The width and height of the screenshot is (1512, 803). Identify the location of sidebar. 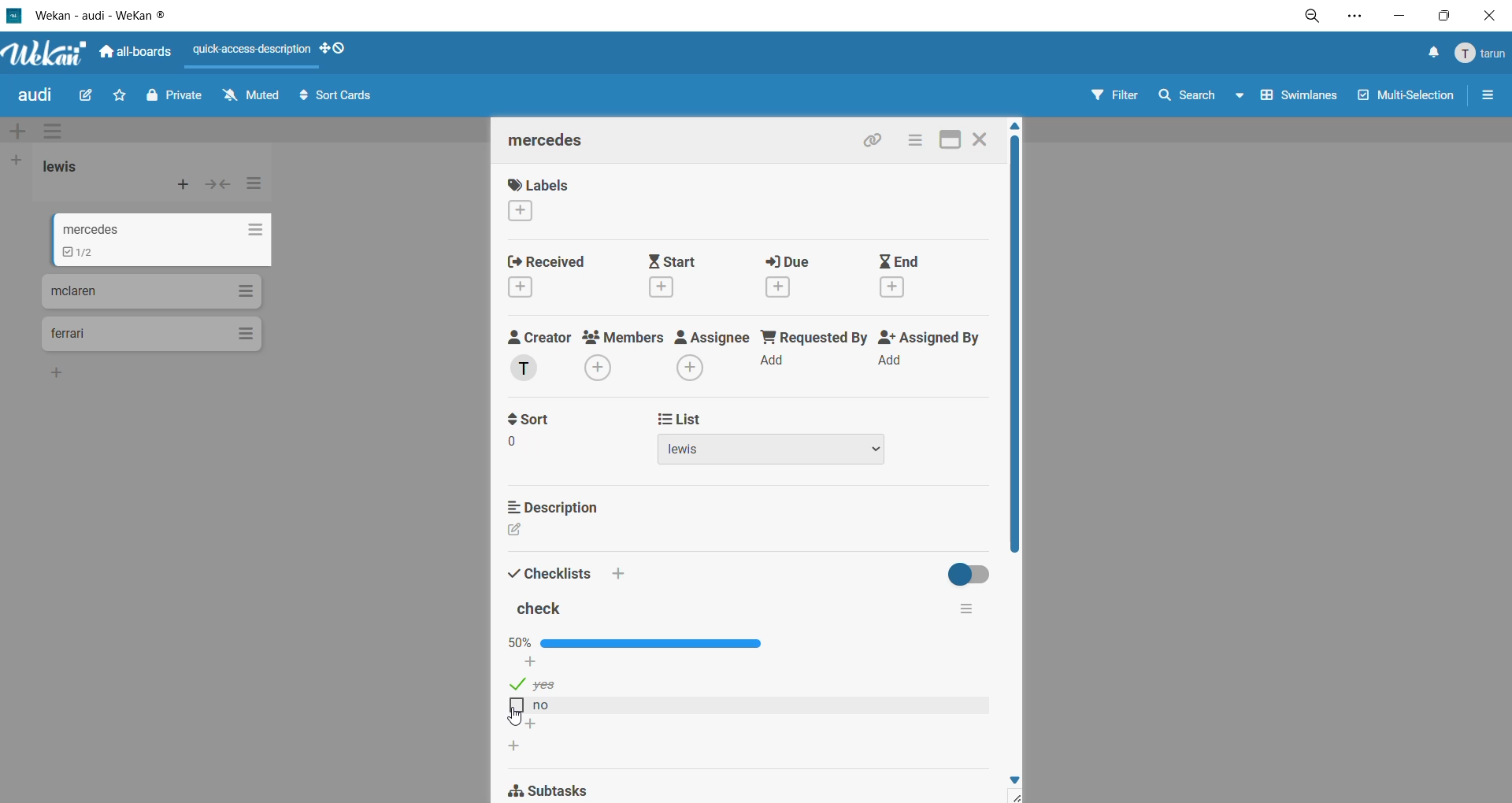
(1484, 96).